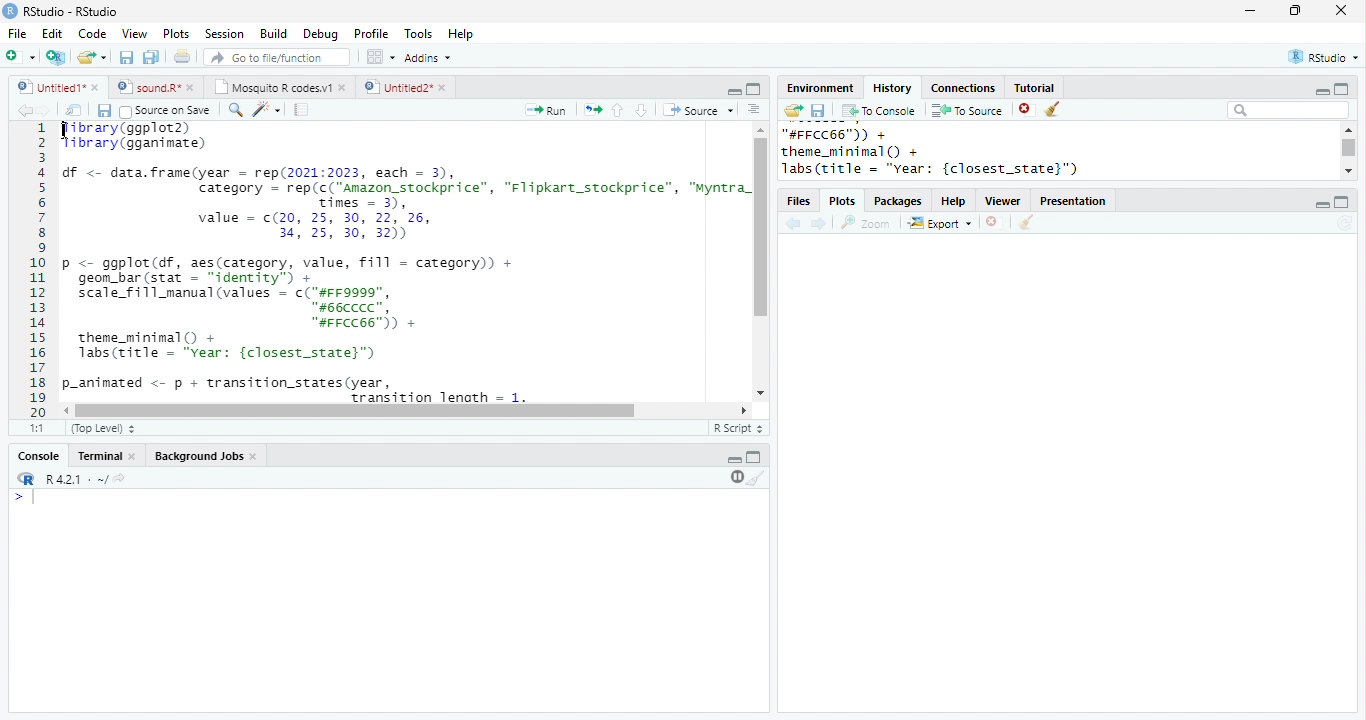  Describe the element at coordinates (594, 109) in the screenshot. I see `rerun` at that location.